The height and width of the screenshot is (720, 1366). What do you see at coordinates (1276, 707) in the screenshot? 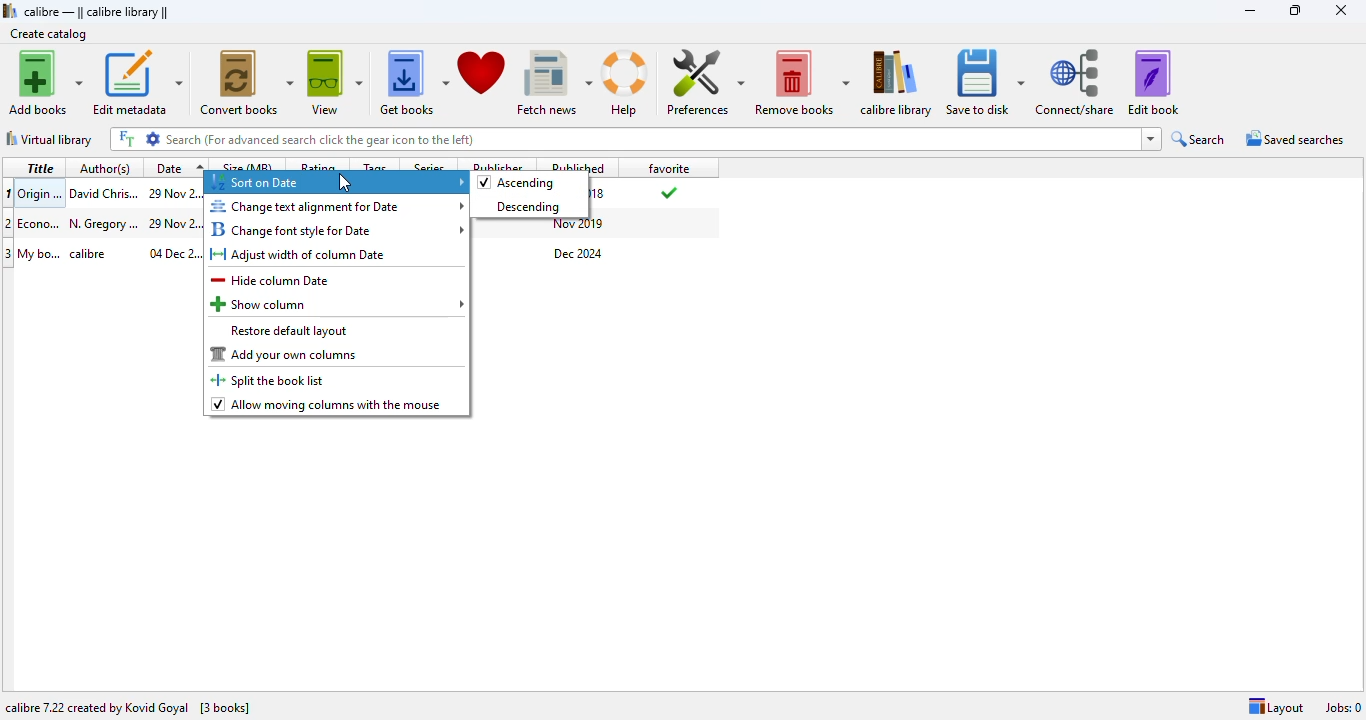
I see `layout` at bounding box center [1276, 707].